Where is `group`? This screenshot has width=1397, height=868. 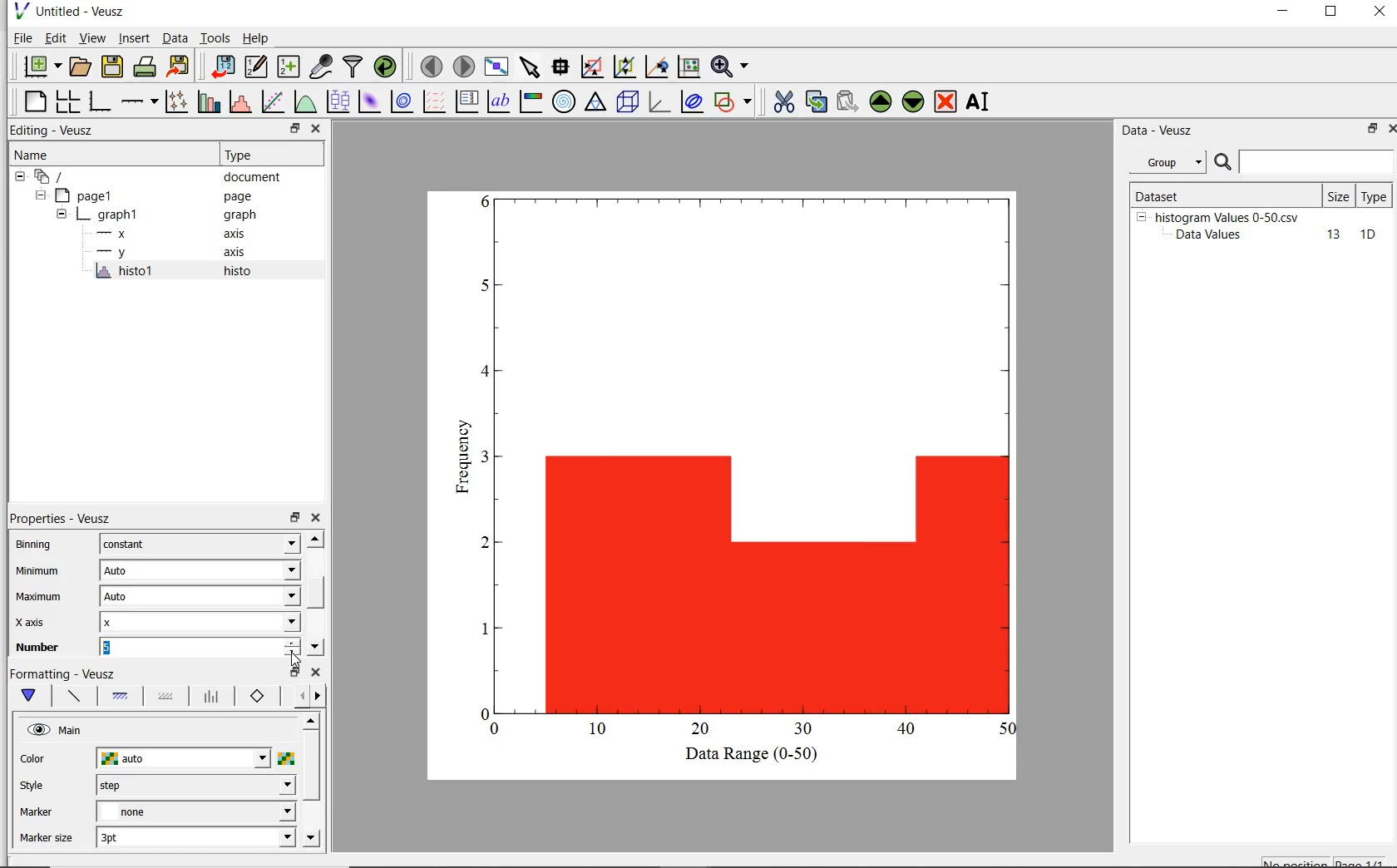 group is located at coordinates (1166, 162).